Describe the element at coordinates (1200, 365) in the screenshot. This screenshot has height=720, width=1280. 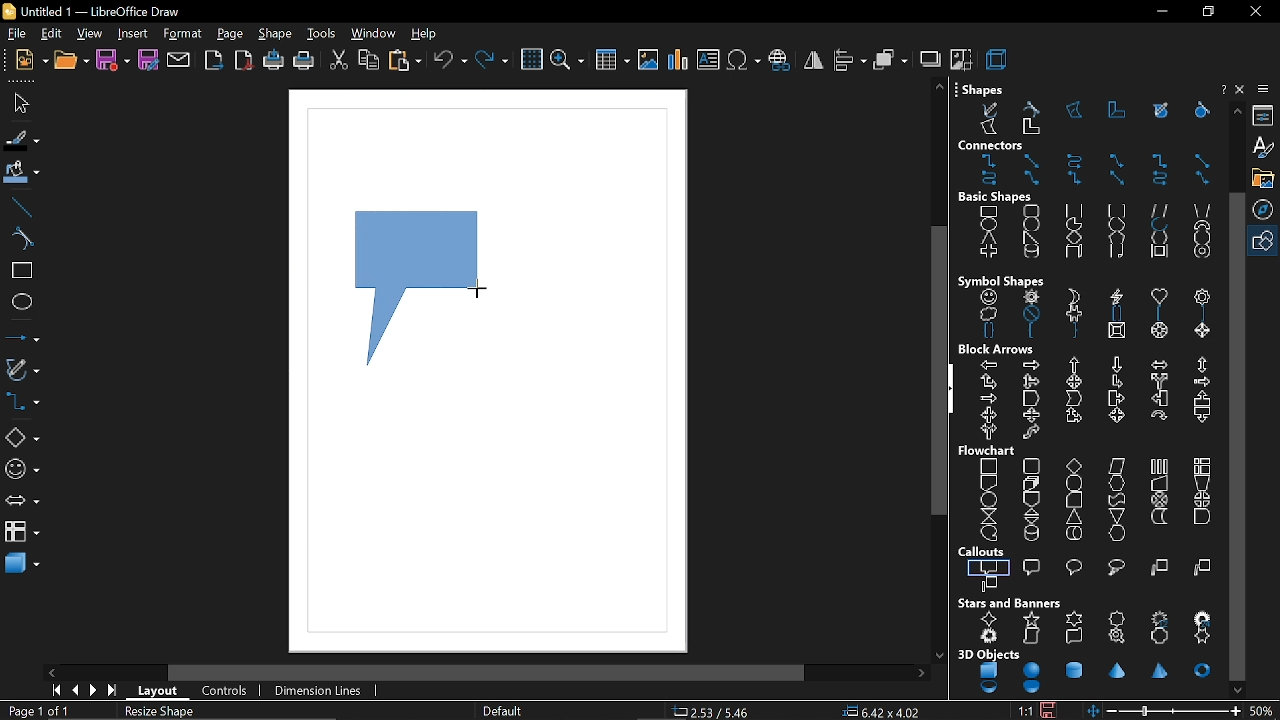
I see `up  and down arrow` at that location.